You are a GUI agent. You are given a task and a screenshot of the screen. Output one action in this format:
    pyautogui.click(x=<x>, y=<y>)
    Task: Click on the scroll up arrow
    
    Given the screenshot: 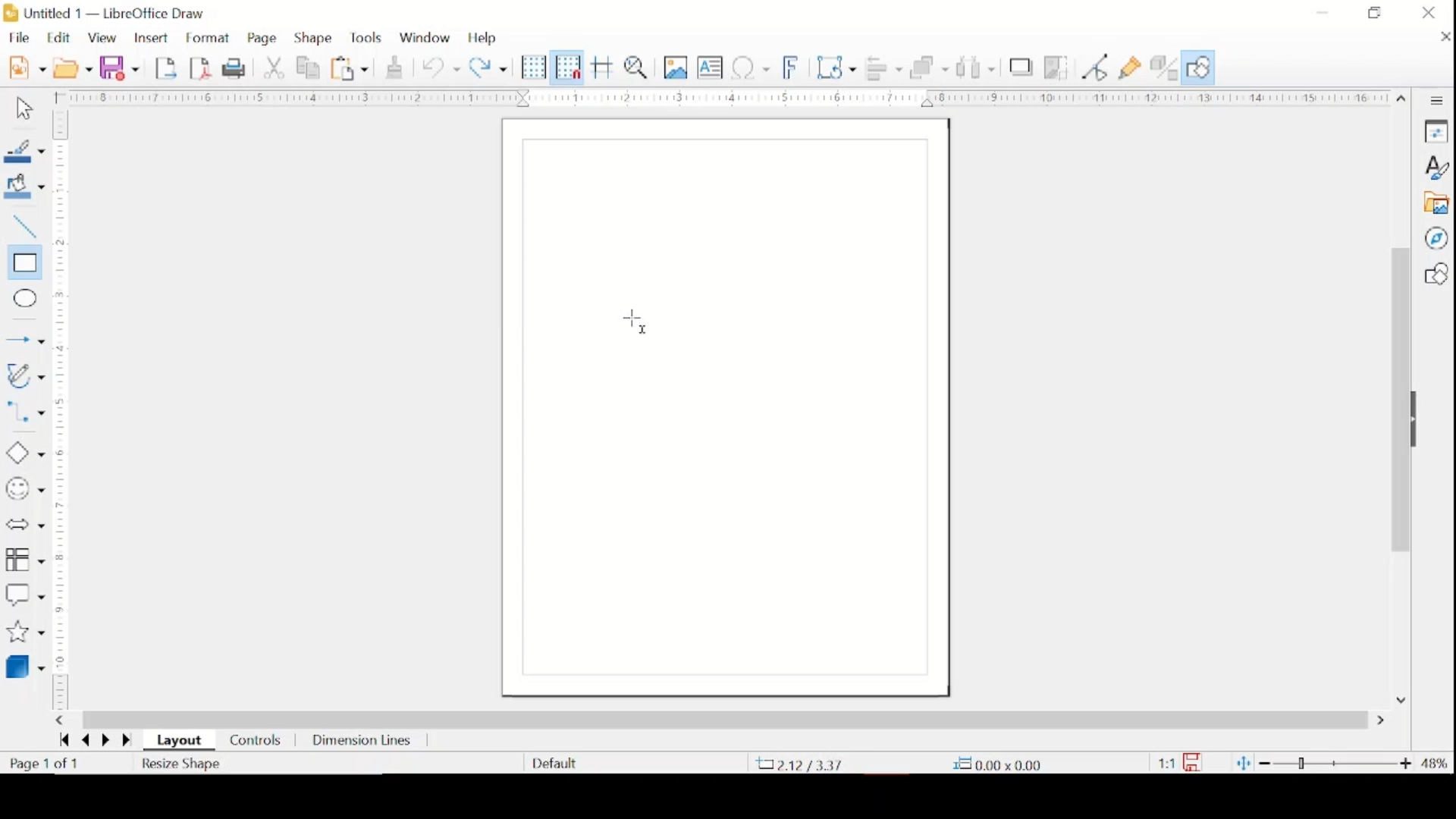 What is the action you would take?
    pyautogui.click(x=1402, y=96)
    